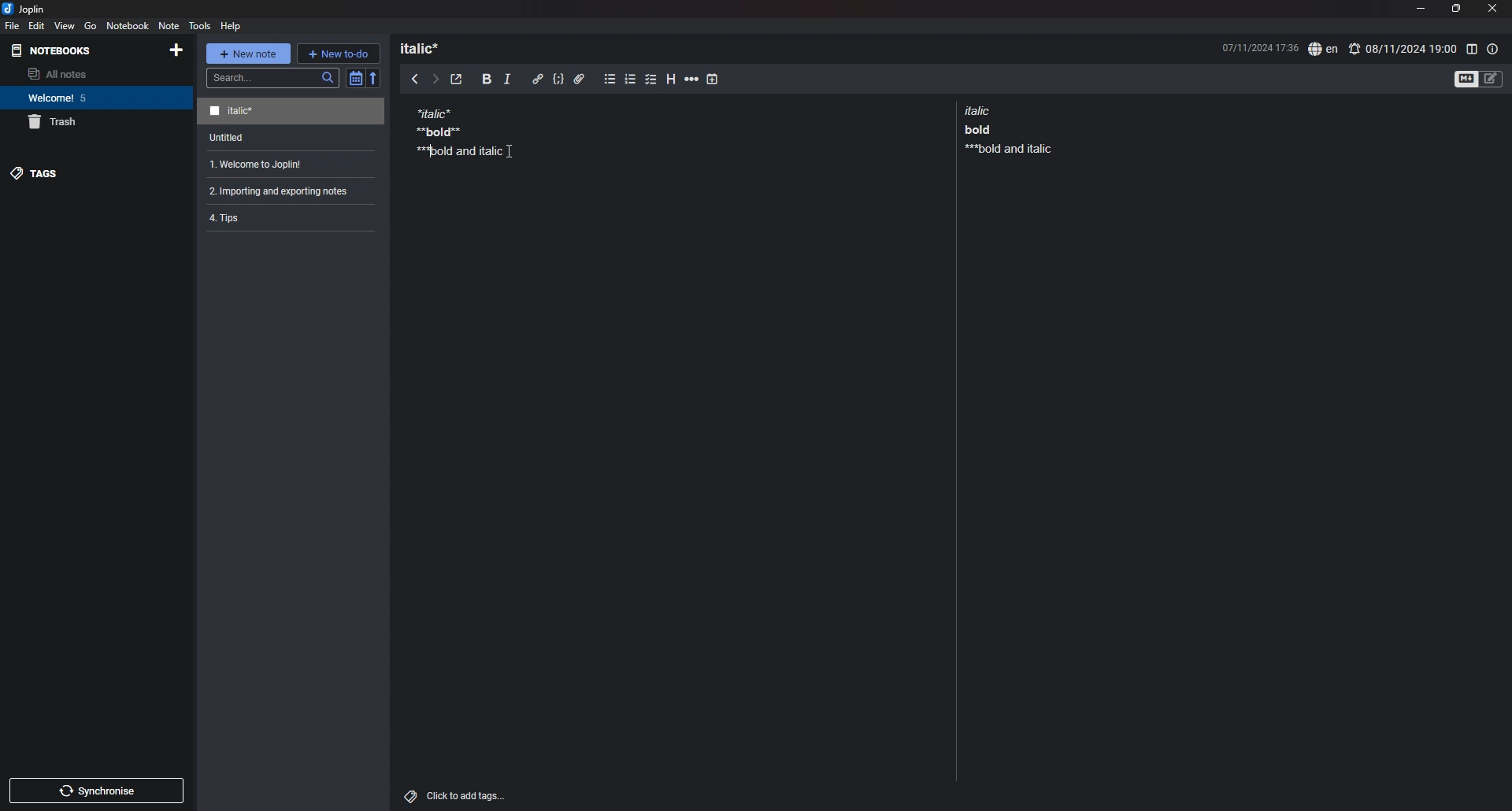 The height and width of the screenshot is (811, 1512). I want to click on view, so click(65, 25).